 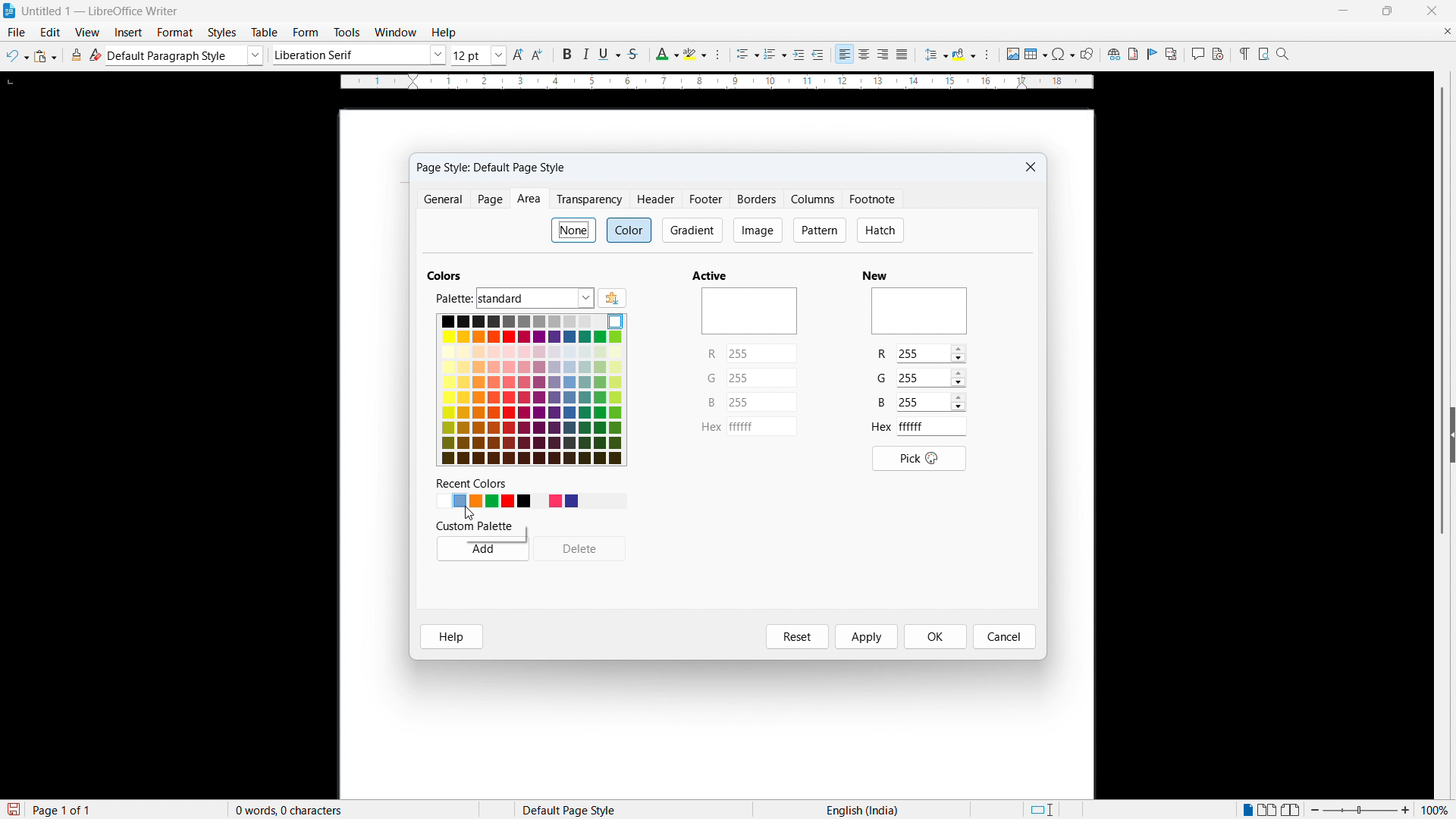 I want to click on Gradient , so click(x=692, y=230).